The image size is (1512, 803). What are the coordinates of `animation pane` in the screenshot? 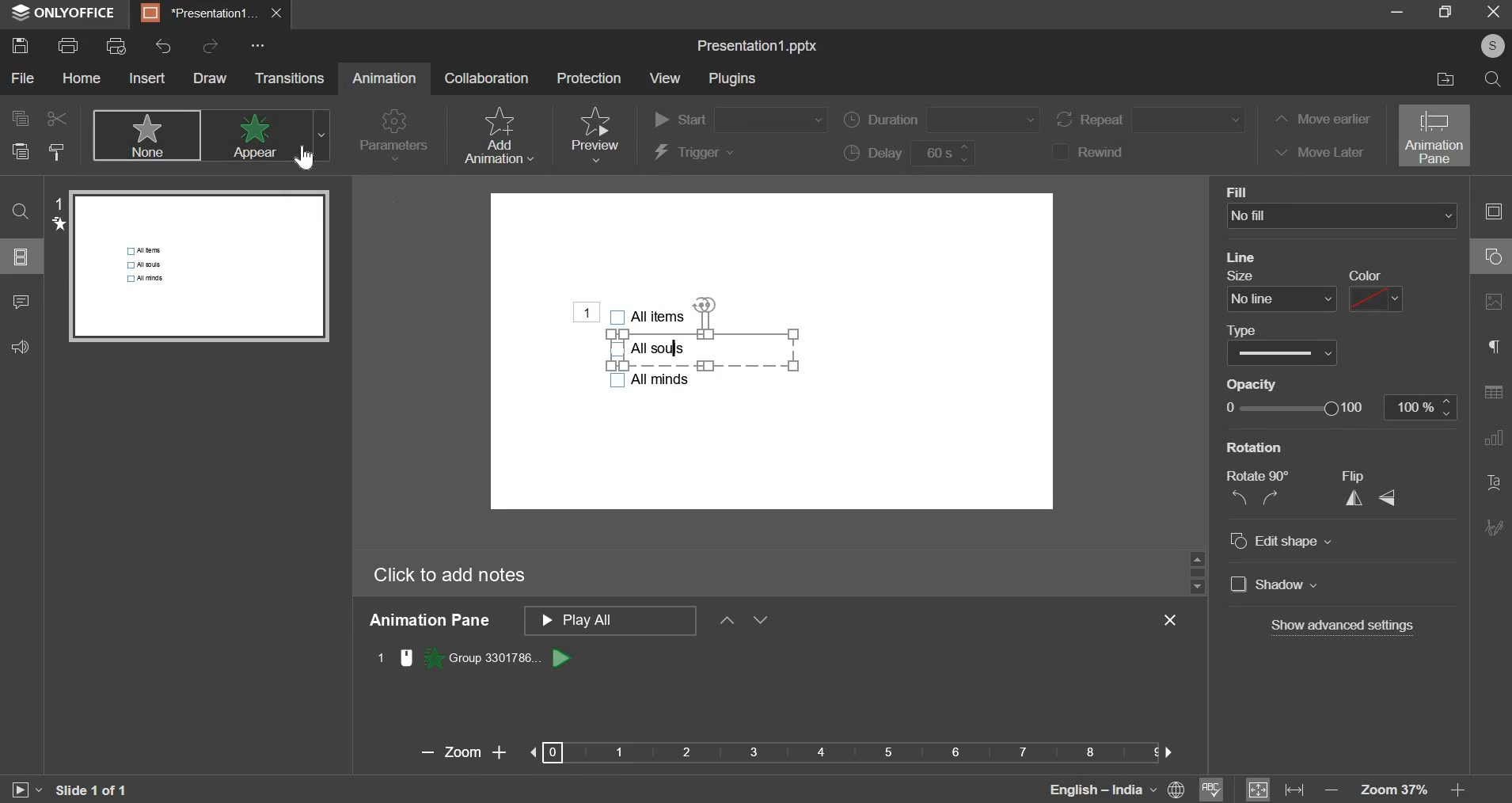 It's located at (428, 621).